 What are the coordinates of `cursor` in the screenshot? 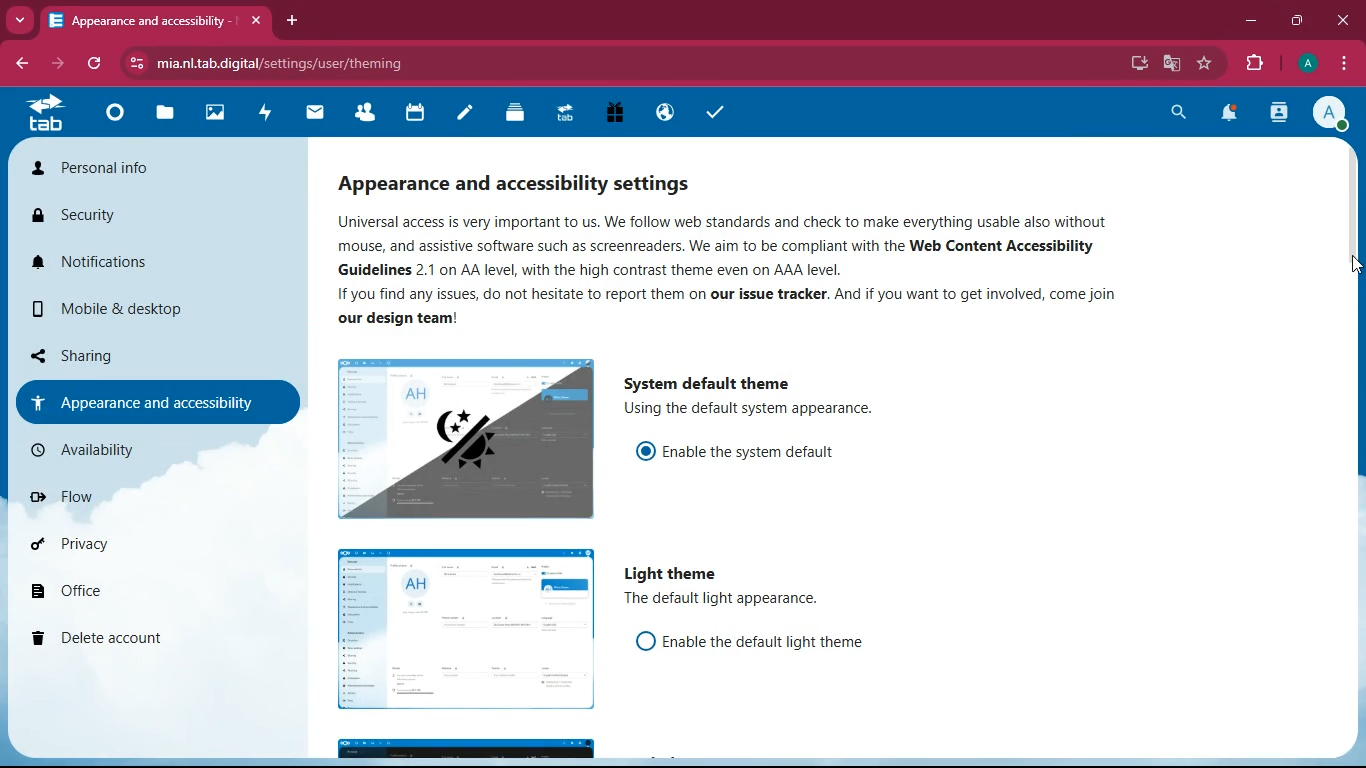 It's located at (1349, 262).